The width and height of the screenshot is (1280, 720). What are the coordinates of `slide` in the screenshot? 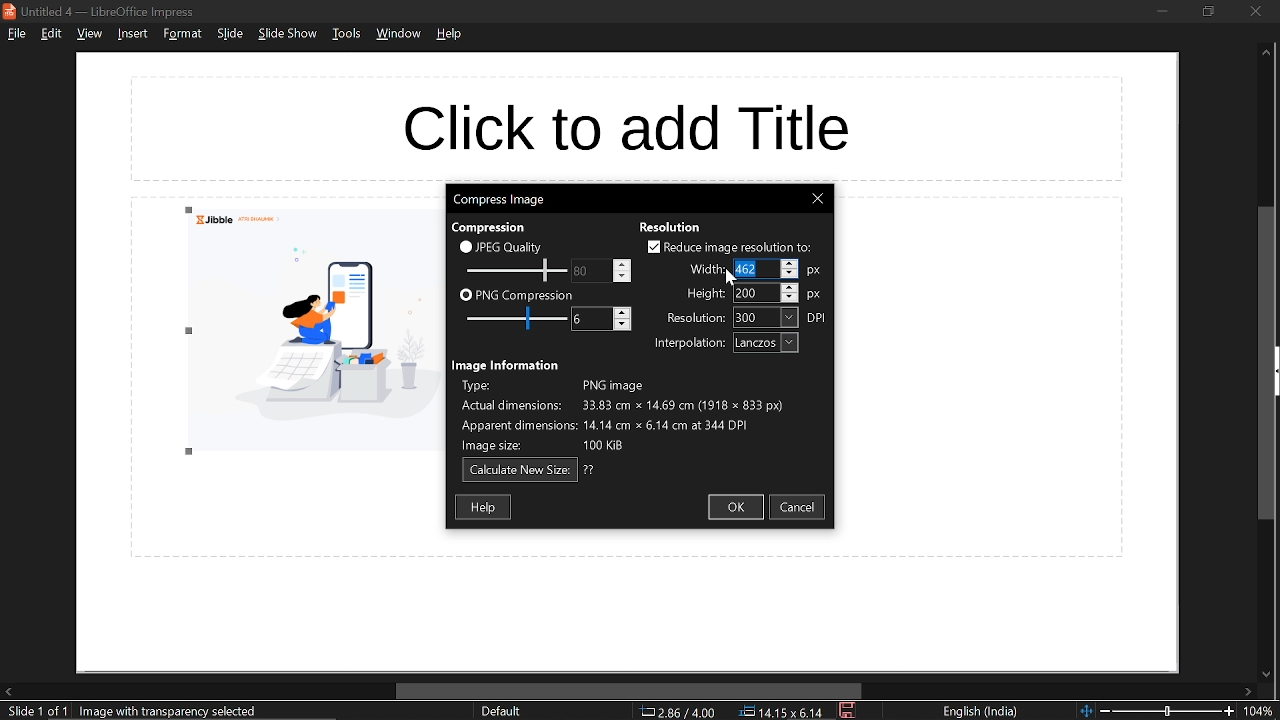 It's located at (230, 34).